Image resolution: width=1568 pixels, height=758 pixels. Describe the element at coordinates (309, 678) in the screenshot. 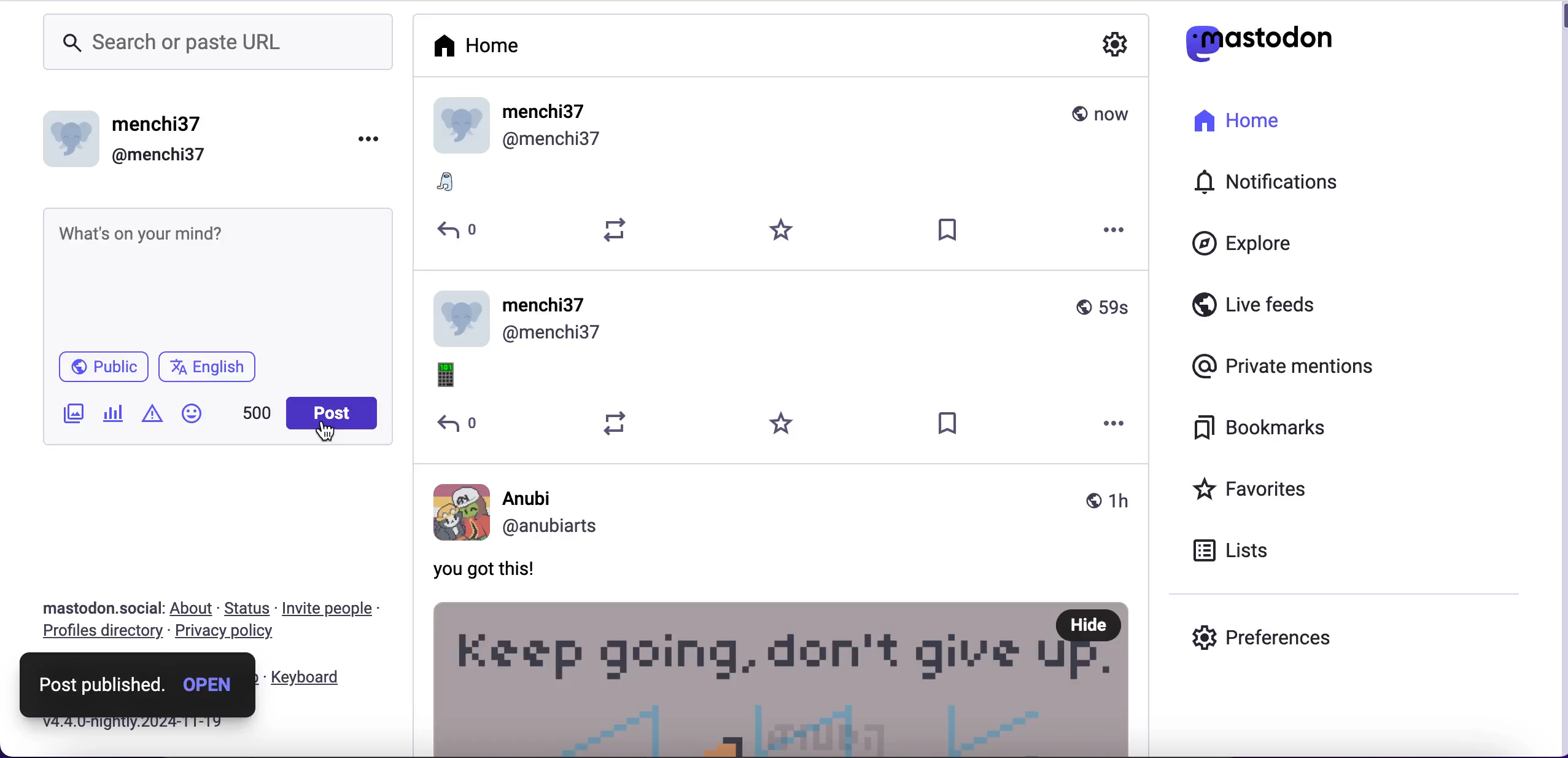

I see `keyboard` at that location.